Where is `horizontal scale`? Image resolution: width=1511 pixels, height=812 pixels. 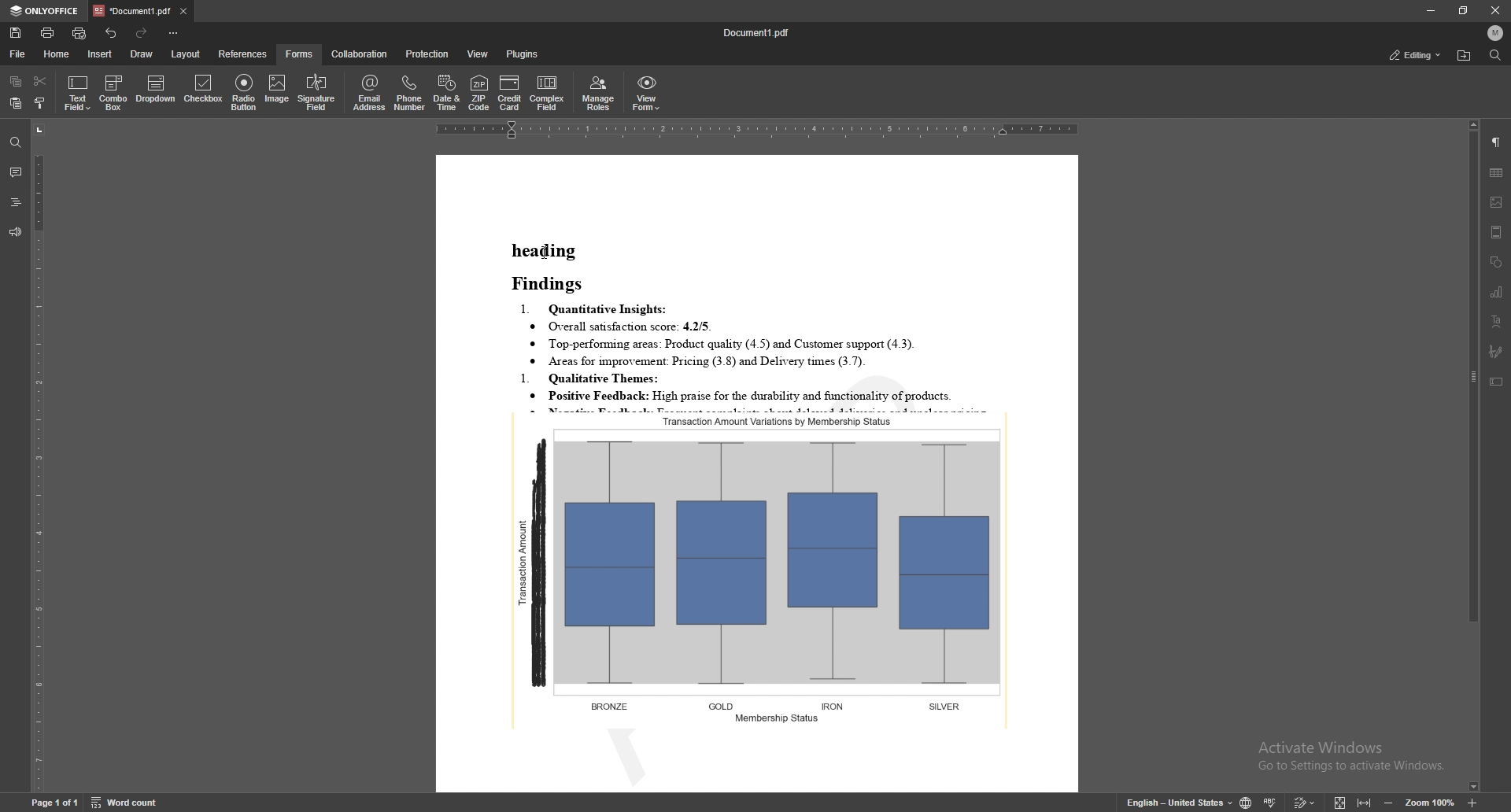
horizontal scale is located at coordinates (758, 131).